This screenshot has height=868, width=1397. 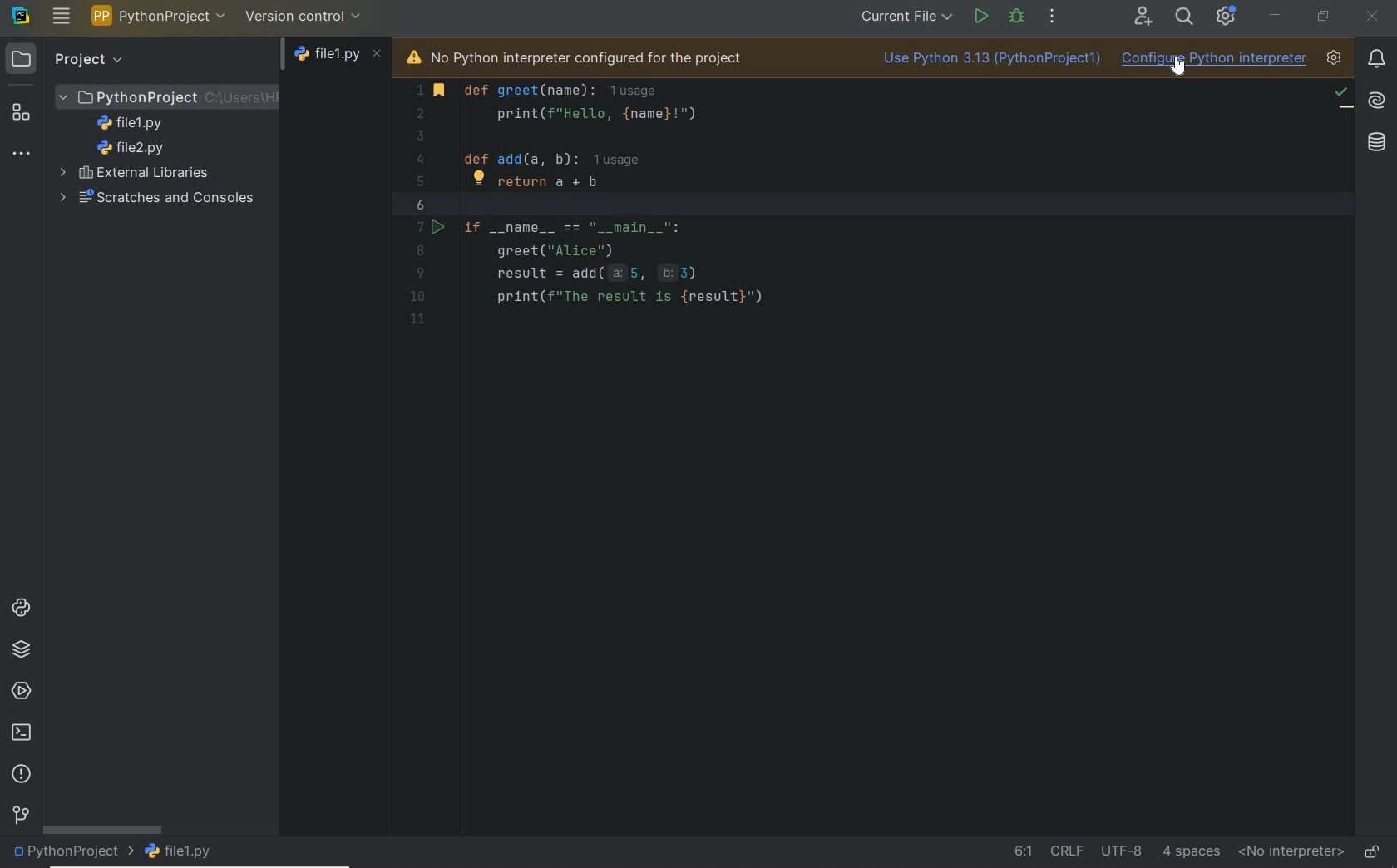 What do you see at coordinates (138, 172) in the screenshot?
I see `external libraries` at bounding box center [138, 172].